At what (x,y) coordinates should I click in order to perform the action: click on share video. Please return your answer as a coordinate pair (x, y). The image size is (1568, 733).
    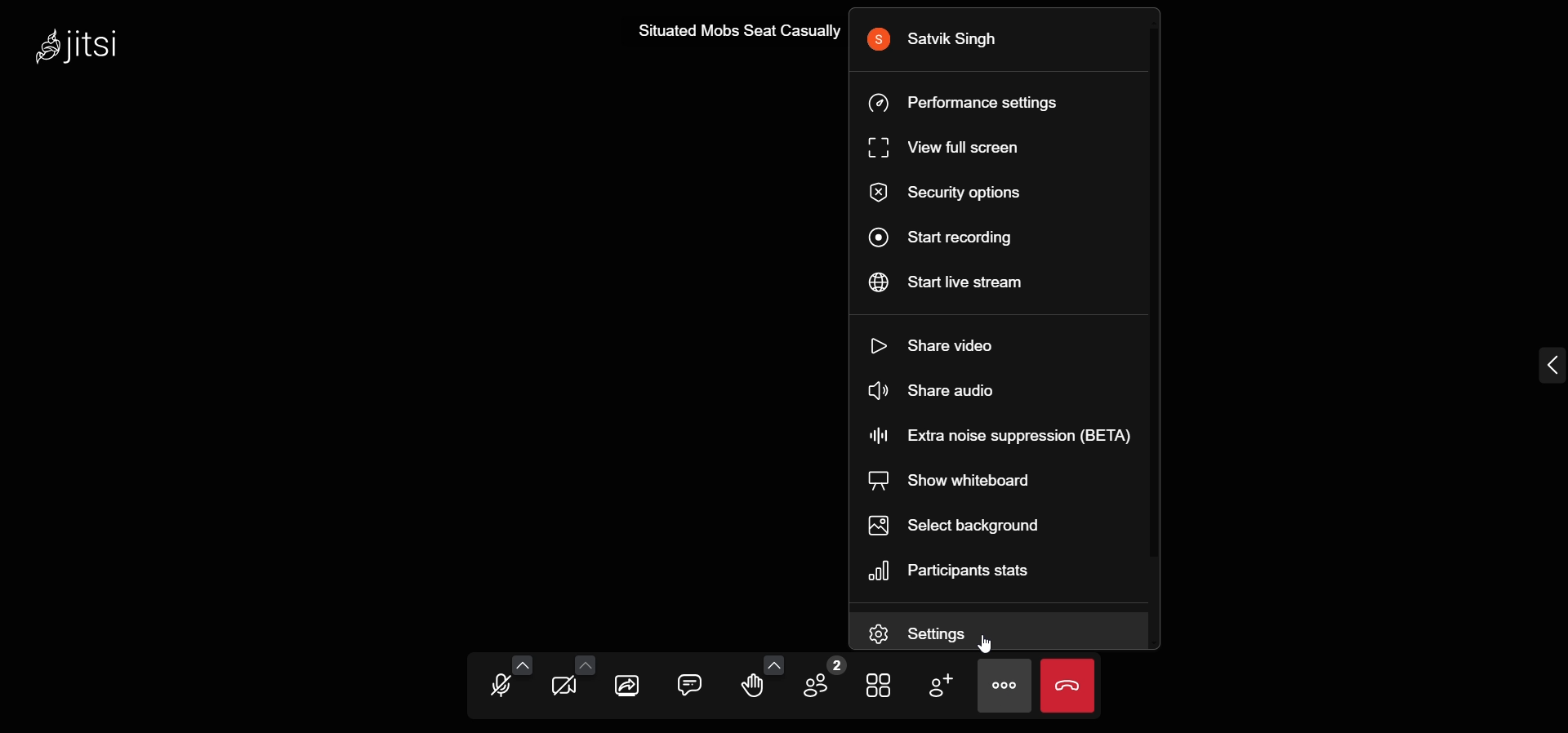
    Looking at the image, I should click on (944, 342).